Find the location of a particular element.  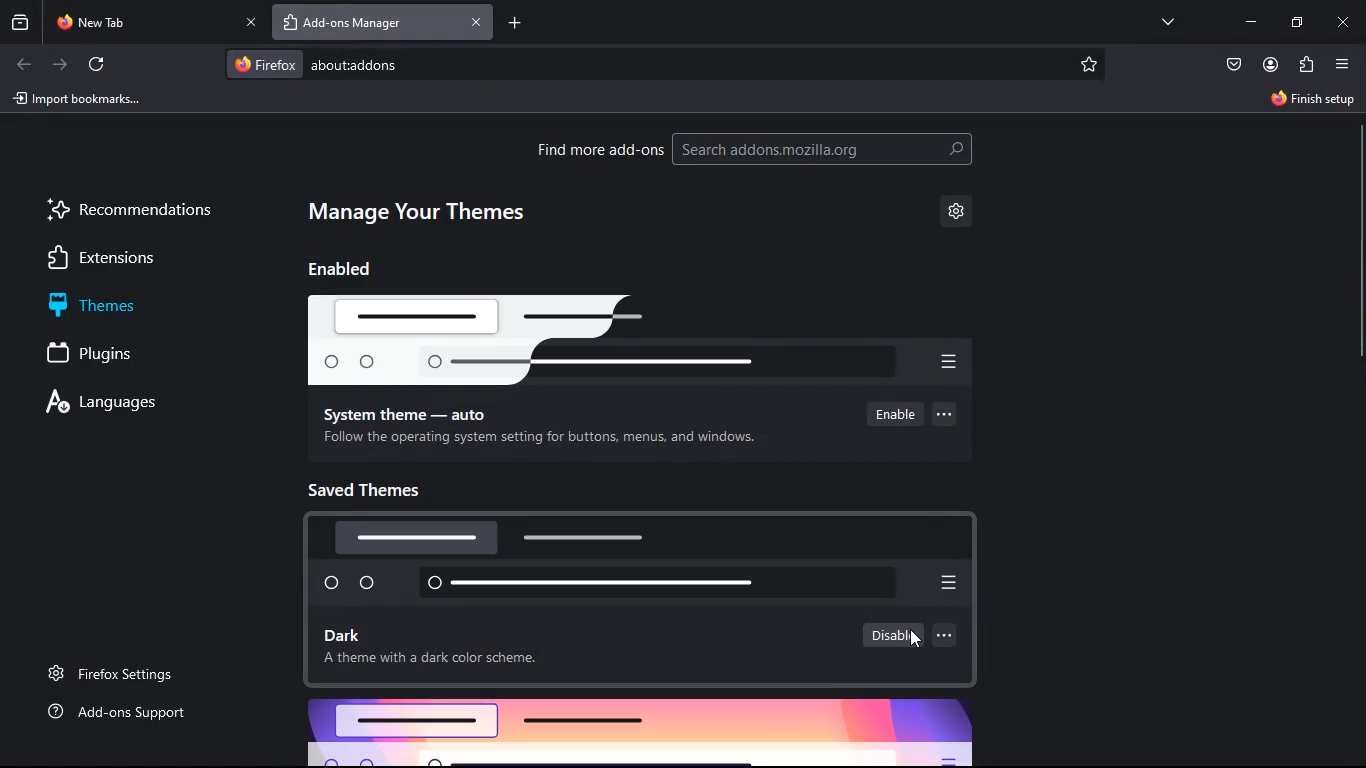

maximize is located at coordinates (1293, 24).